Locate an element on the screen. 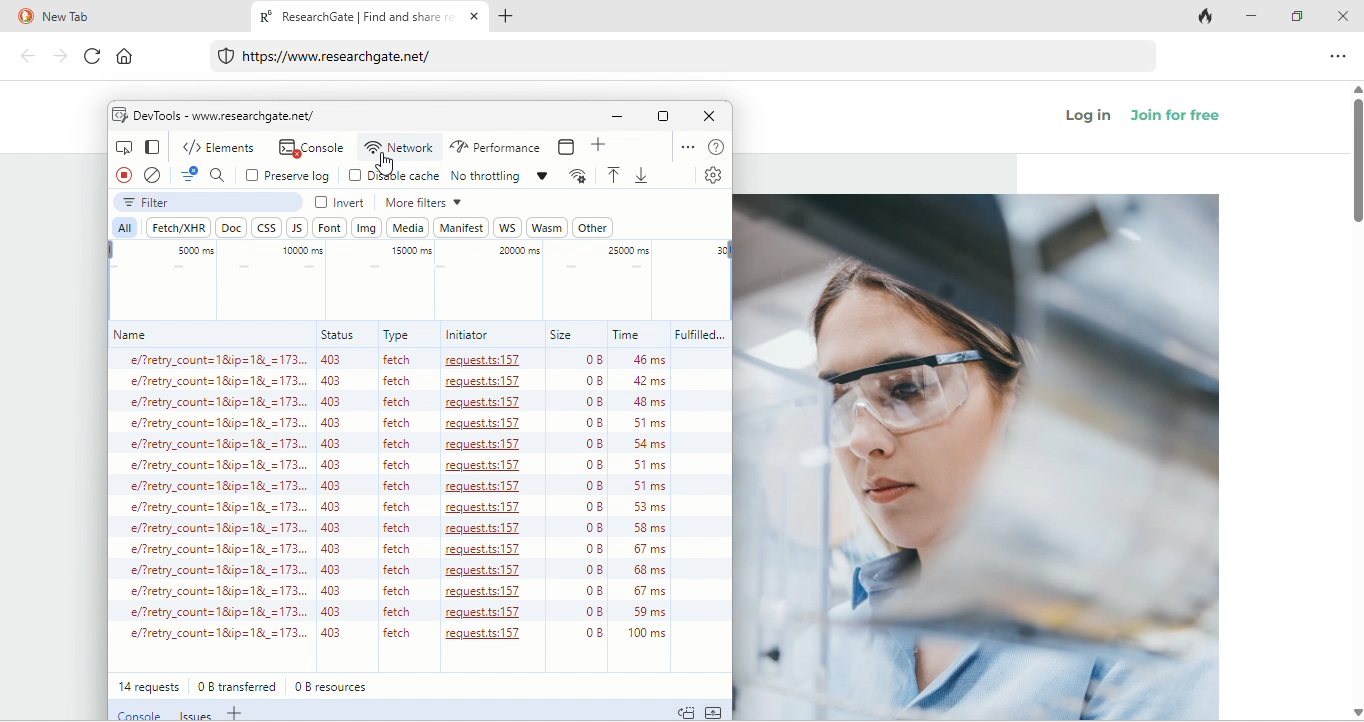  track tab is located at coordinates (1208, 18).